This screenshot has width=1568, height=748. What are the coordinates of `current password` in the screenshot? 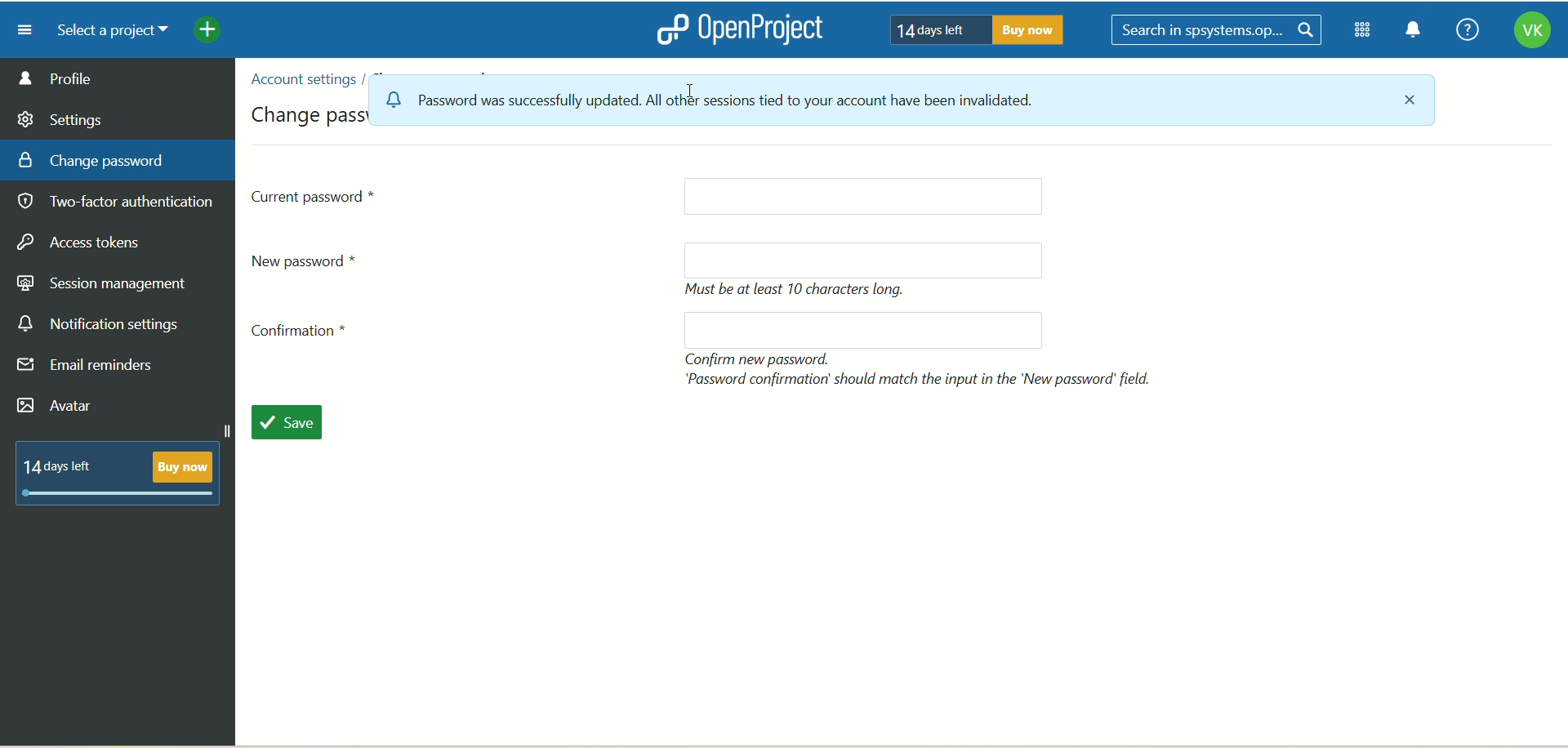 It's located at (862, 198).